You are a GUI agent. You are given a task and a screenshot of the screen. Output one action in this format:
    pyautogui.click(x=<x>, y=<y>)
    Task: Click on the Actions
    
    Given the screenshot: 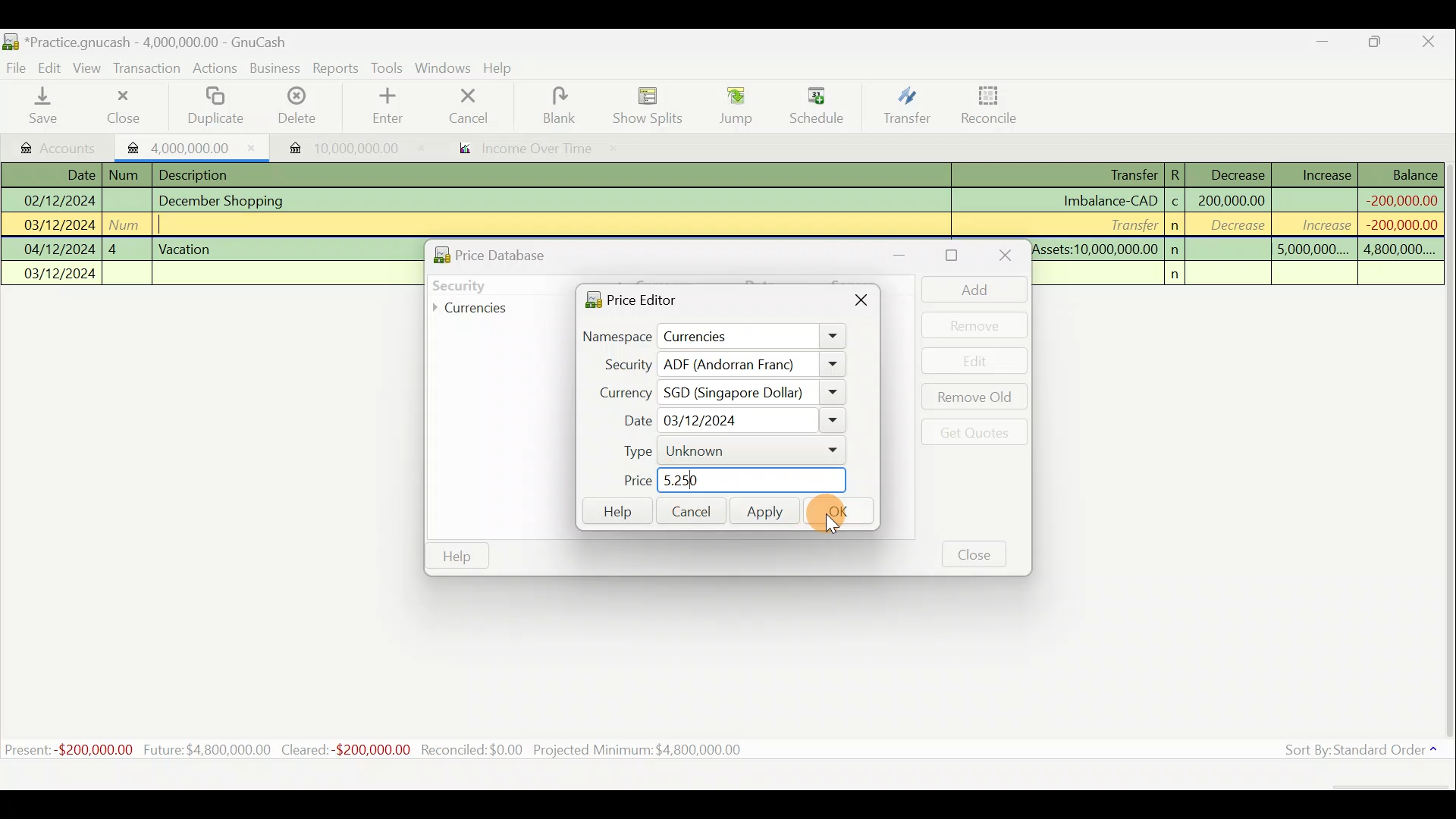 What is the action you would take?
    pyautogui.click(x=217, y=69)
    